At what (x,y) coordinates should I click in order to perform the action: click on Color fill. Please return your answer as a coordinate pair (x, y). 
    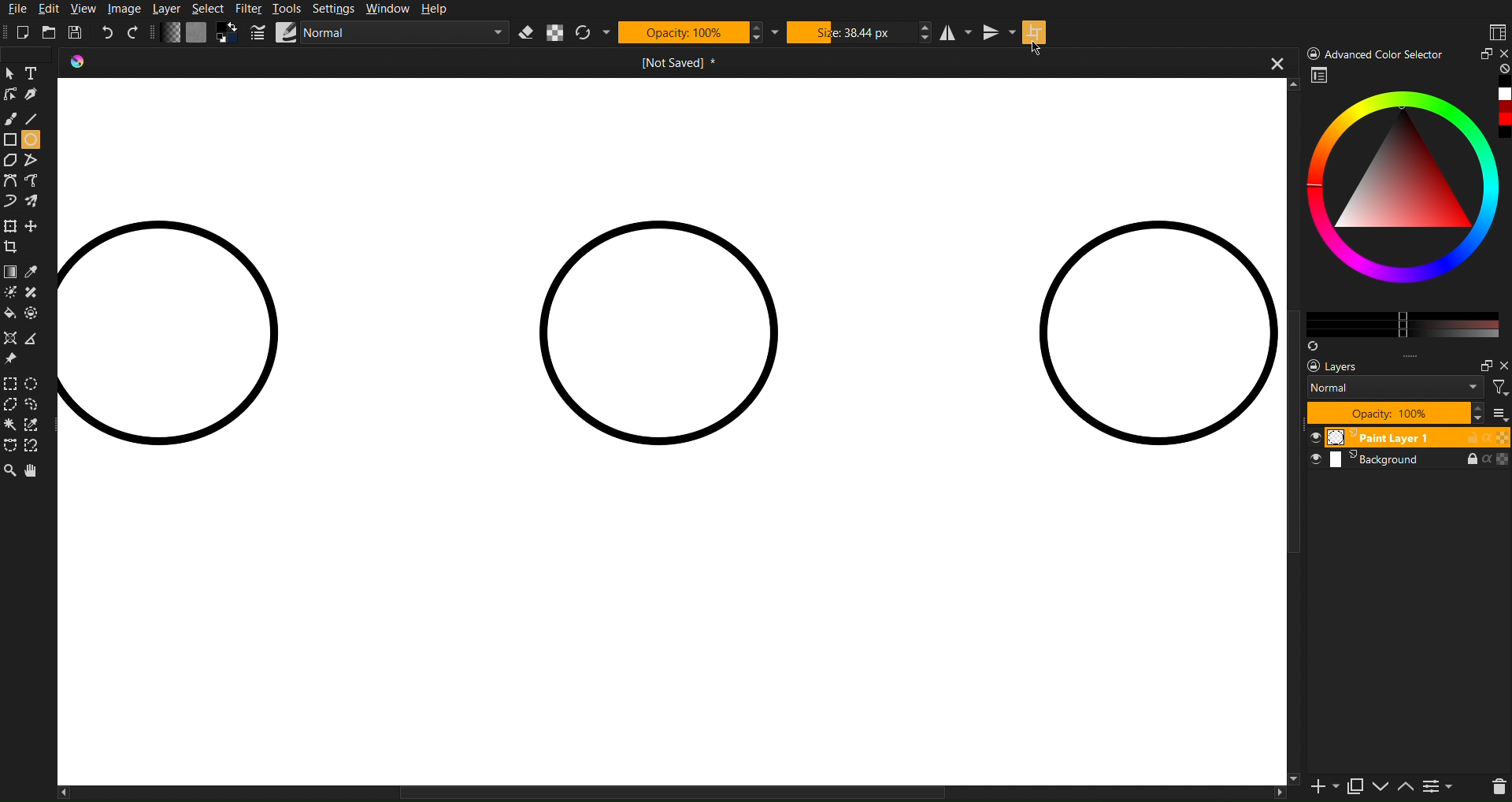
    Looking at the image, I should click on (9, 315).